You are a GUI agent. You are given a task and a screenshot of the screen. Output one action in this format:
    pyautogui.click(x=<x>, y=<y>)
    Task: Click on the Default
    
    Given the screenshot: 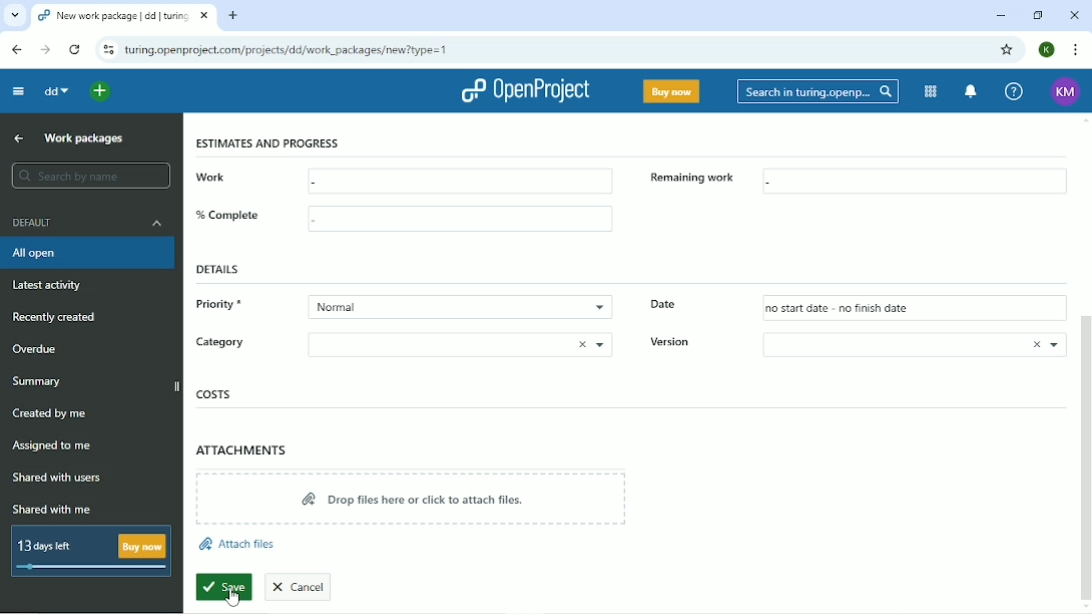 What is the action you would take?
    pyautogui.click(x=85, y=226)
    